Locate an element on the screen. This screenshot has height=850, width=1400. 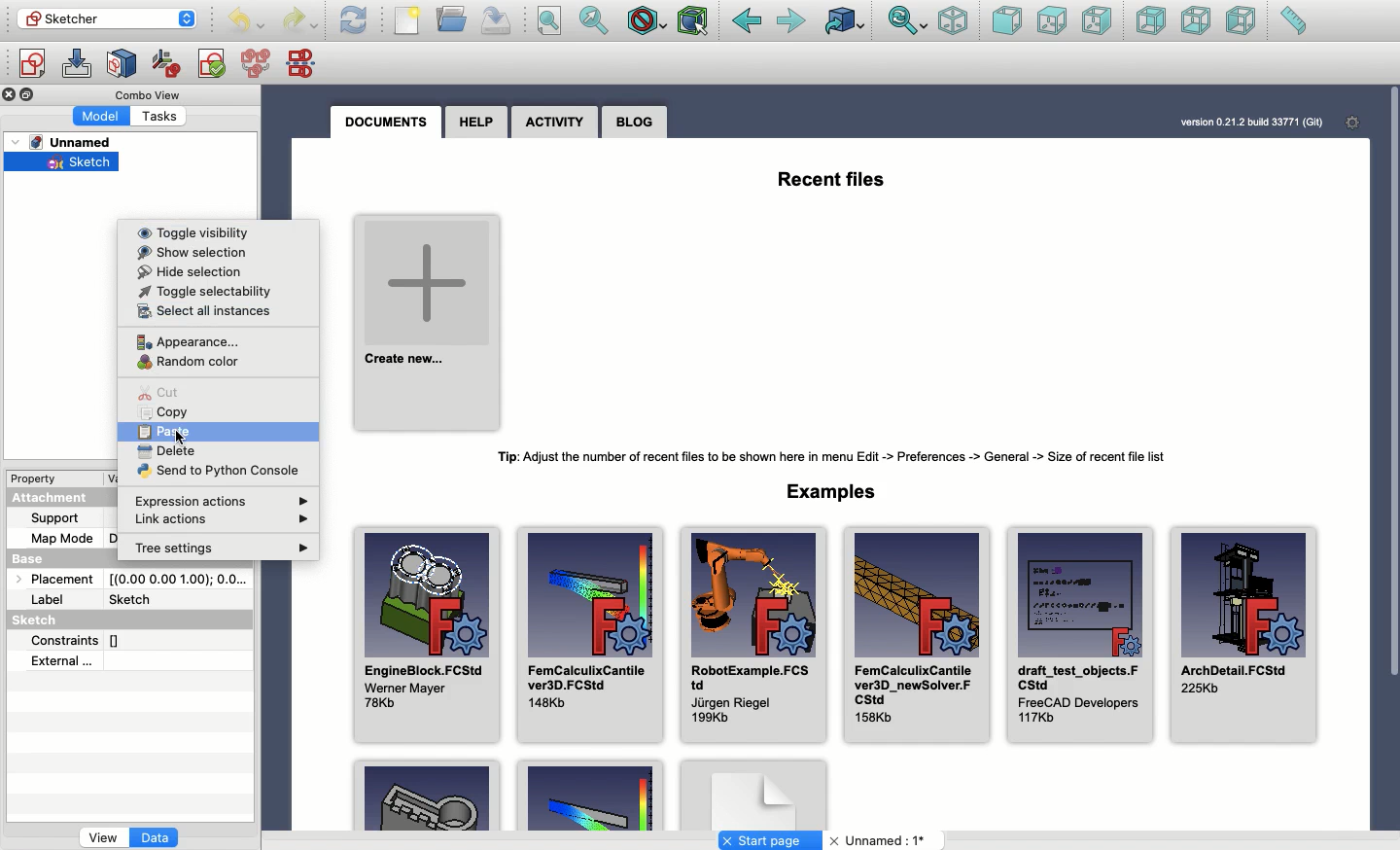
Property is located at coordinates (36, 478).